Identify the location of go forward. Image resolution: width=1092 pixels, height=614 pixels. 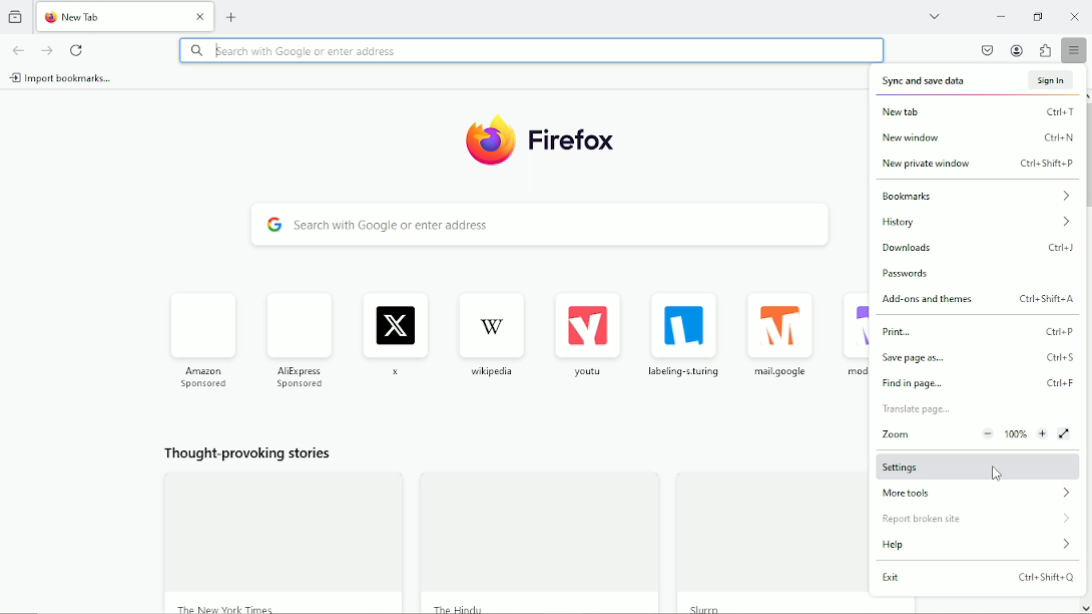
(48, 50).